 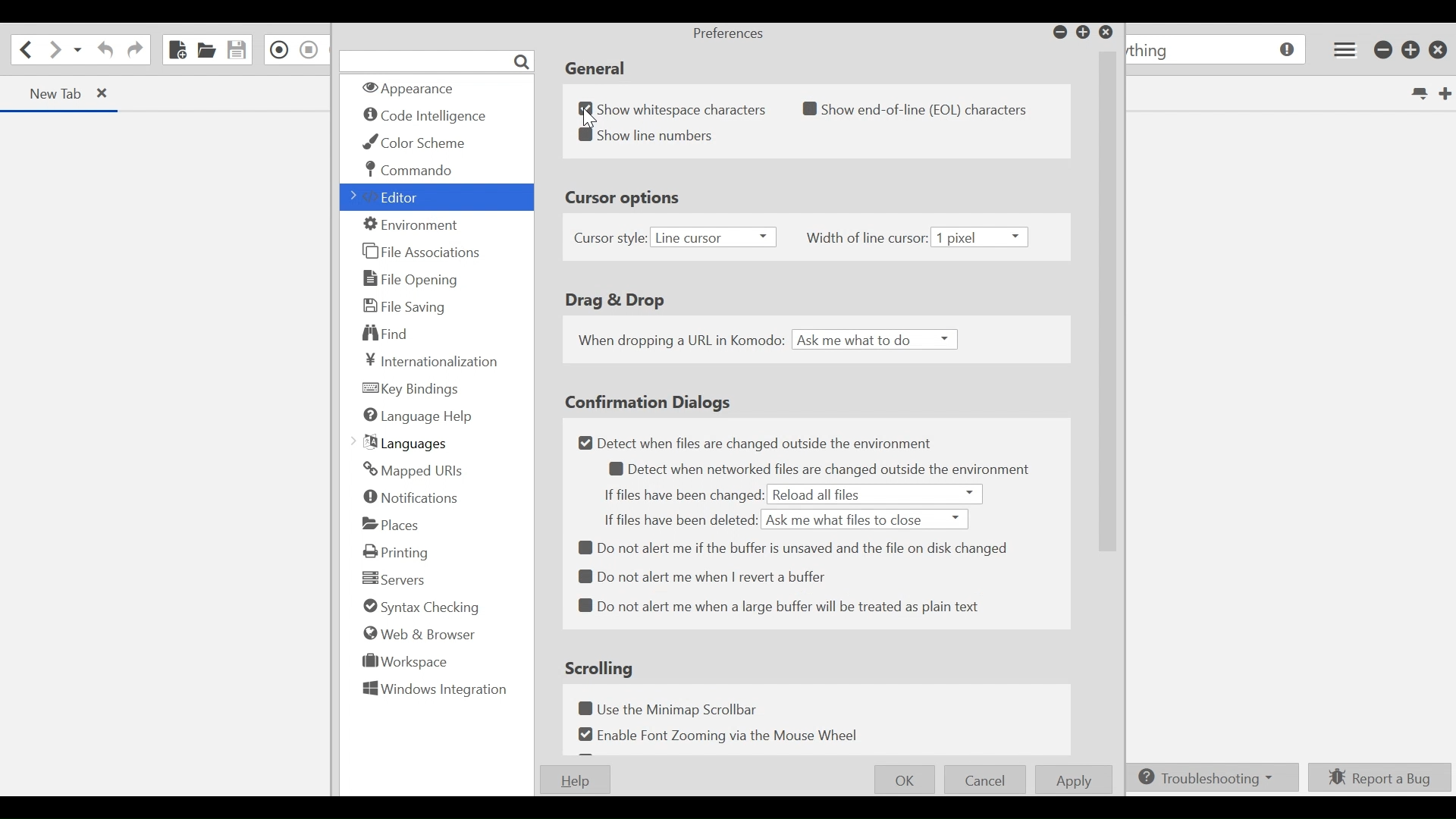 I want to click on Go forward one location, so click(x=52, y=51).